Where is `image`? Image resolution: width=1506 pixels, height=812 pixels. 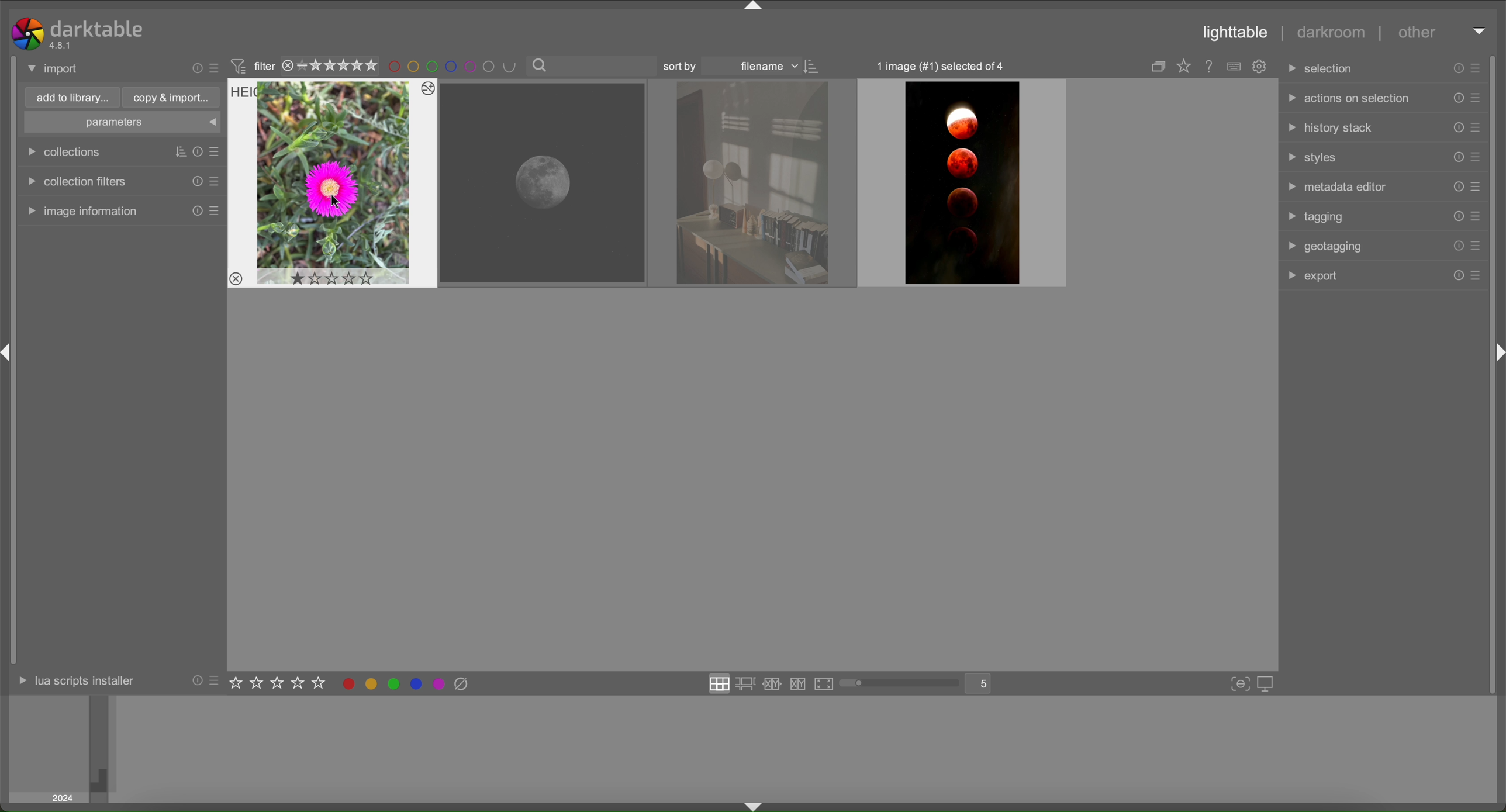
image is located at coordinates (543, 183).